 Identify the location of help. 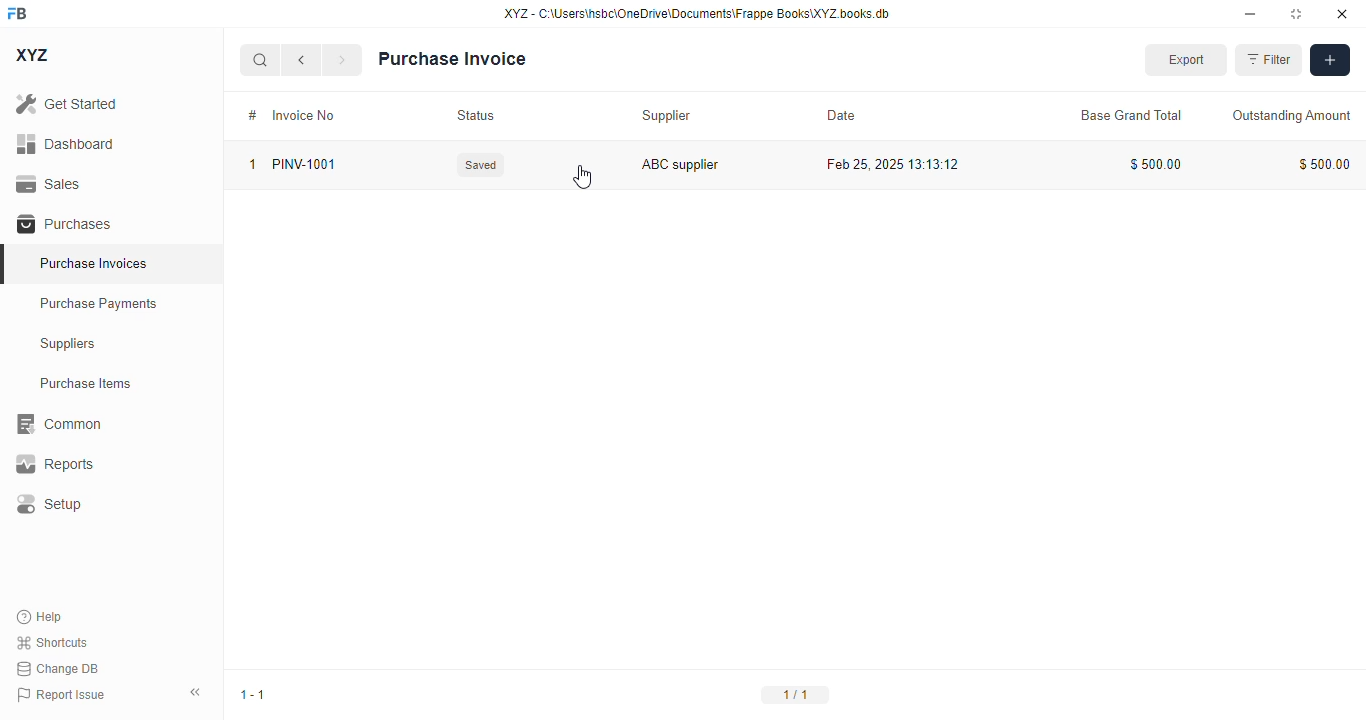
(40, 617).